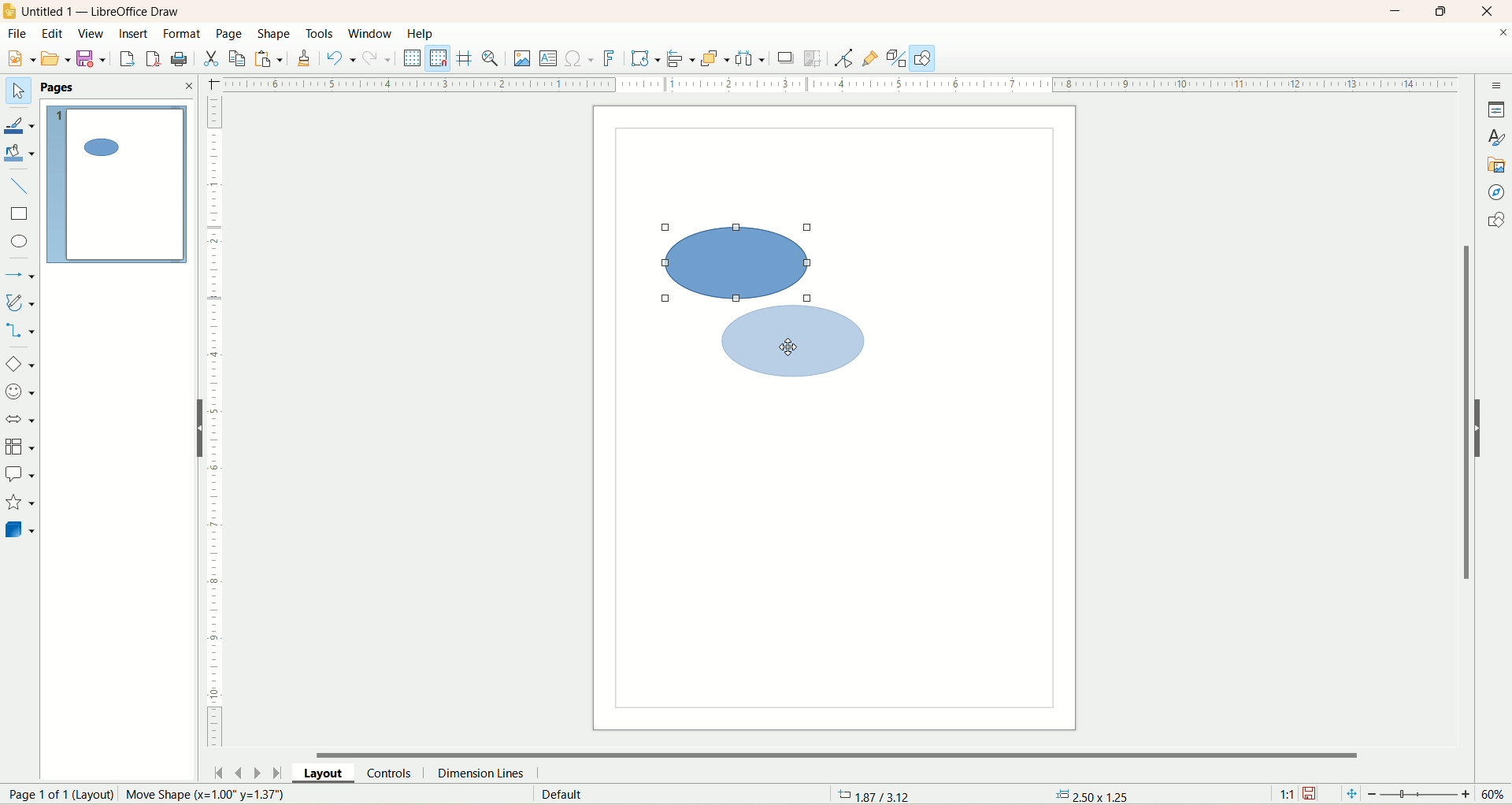  What do you see at coordinates (551, 796) in the screenshot?
I see `default` at bounding box center [551, 796].